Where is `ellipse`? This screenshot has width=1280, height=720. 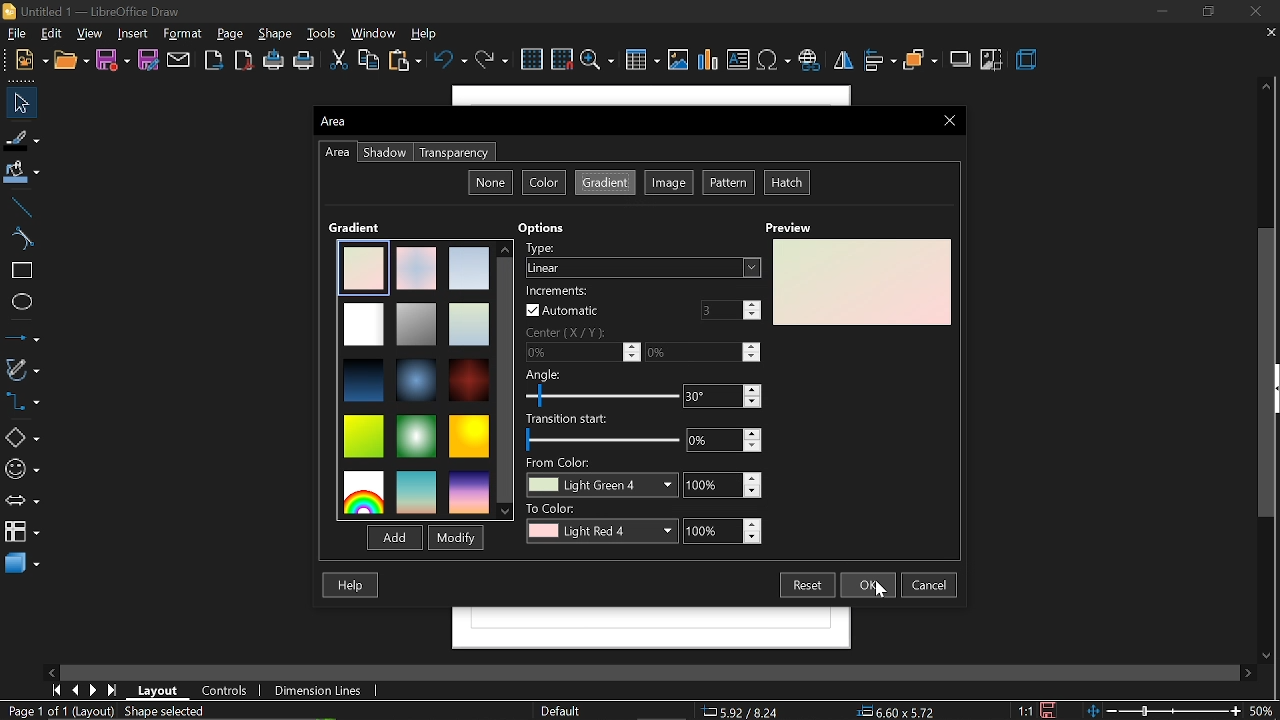
ellipse is located at coordinates (18, 304).